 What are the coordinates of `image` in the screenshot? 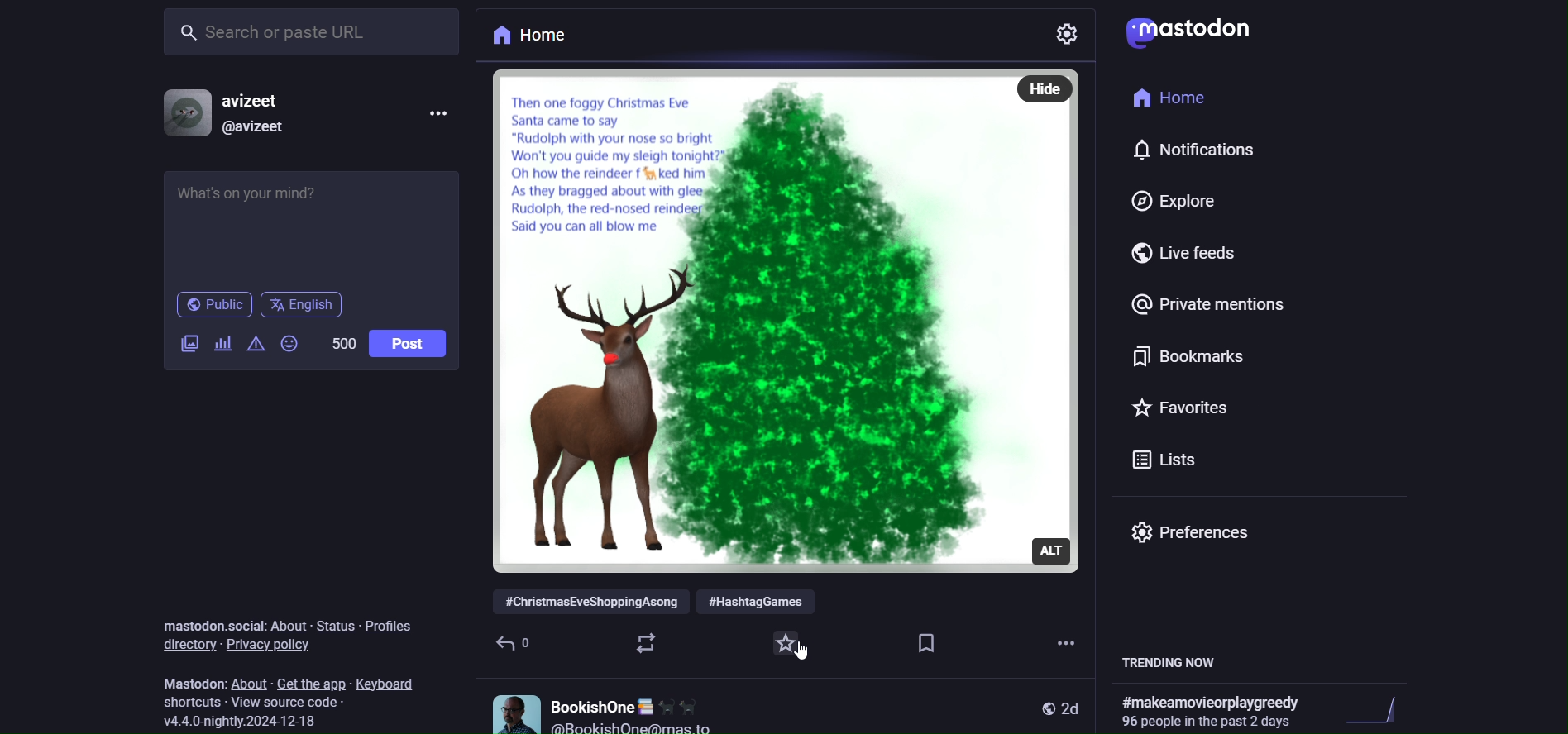 It's located at (760, 317).